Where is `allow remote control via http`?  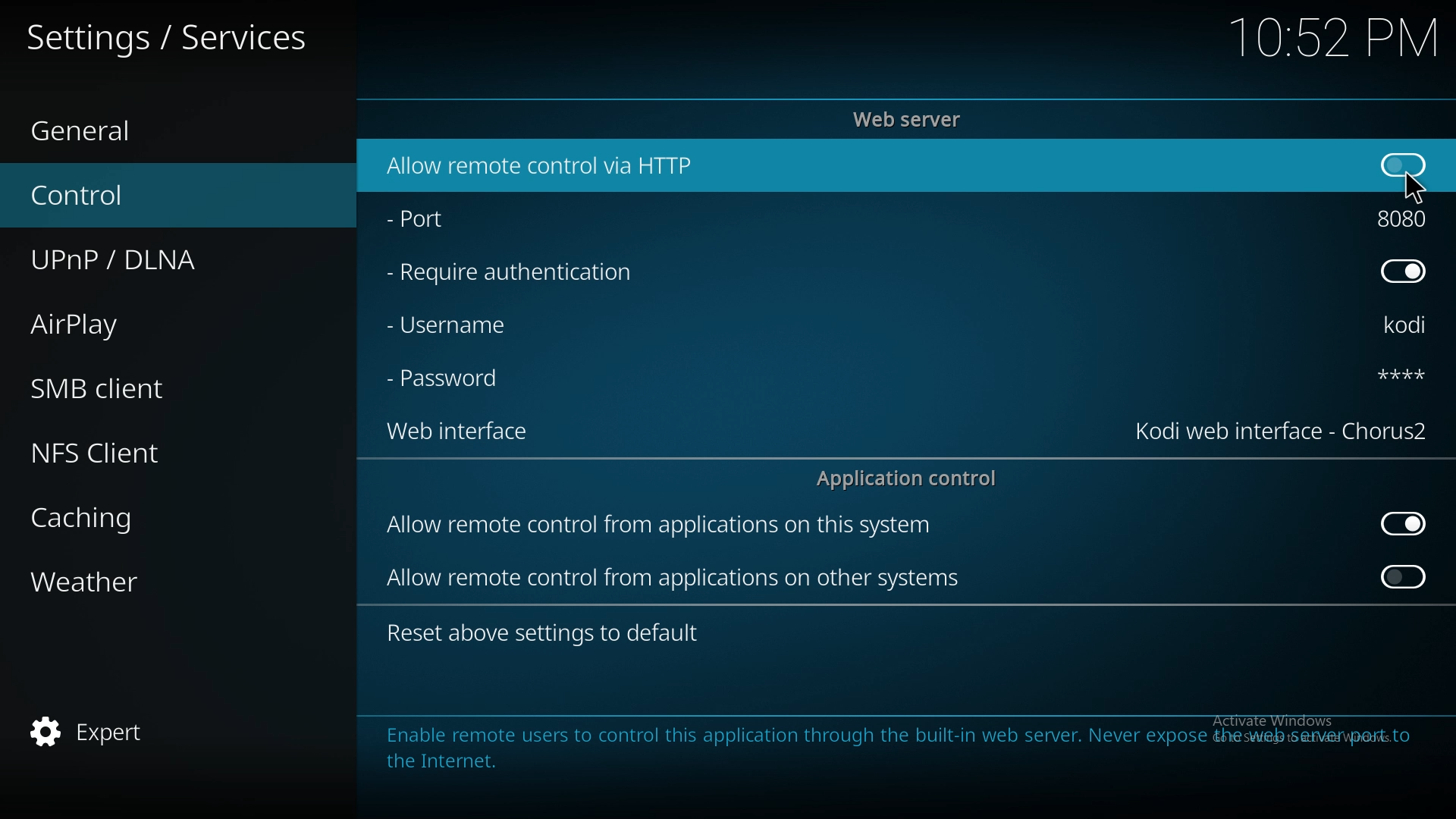 allow remote control via http is located at coordinates (537, 165).